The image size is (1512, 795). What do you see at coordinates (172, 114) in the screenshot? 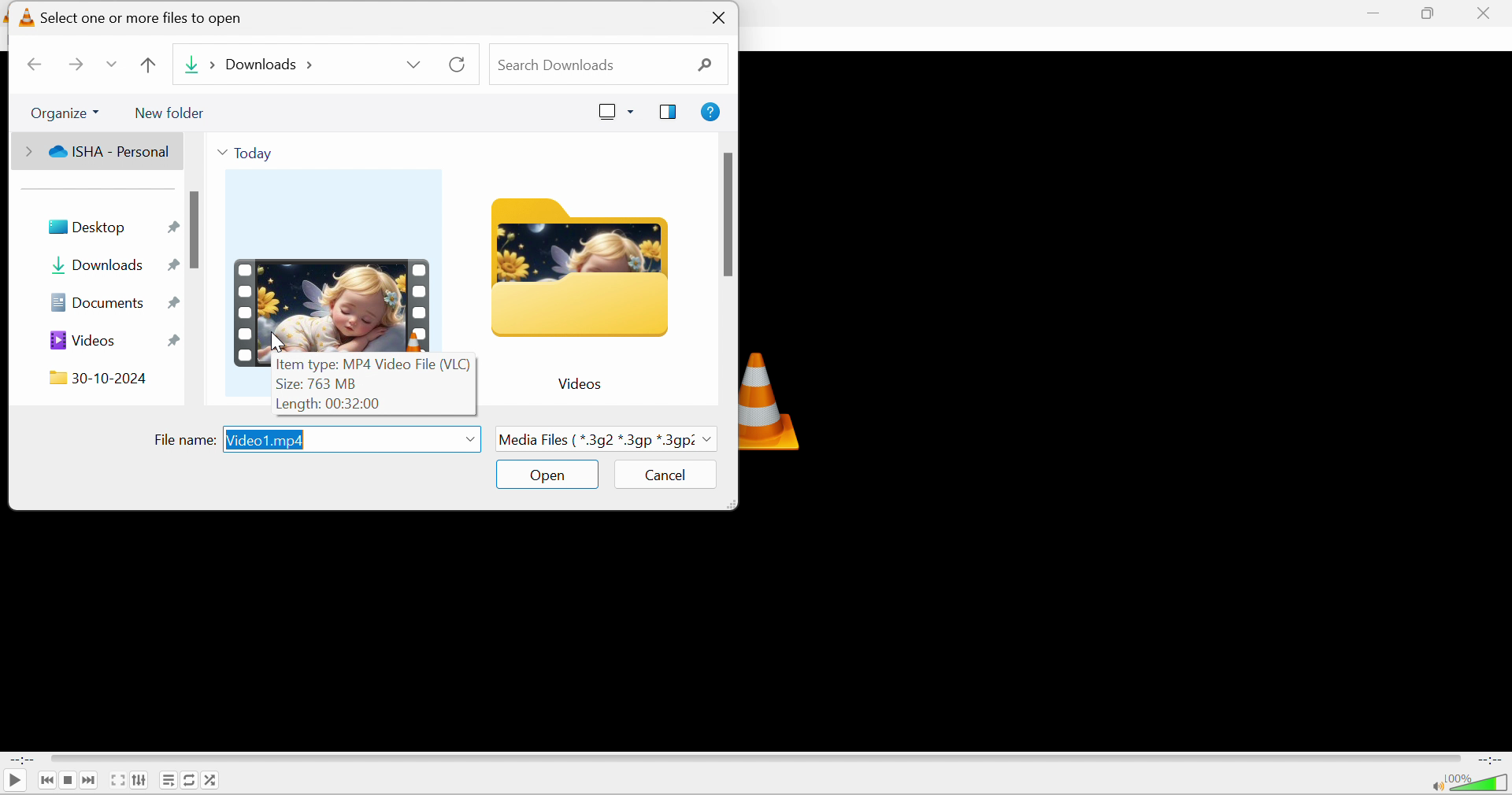
I see `New folder` at bounding box center [172, 114].